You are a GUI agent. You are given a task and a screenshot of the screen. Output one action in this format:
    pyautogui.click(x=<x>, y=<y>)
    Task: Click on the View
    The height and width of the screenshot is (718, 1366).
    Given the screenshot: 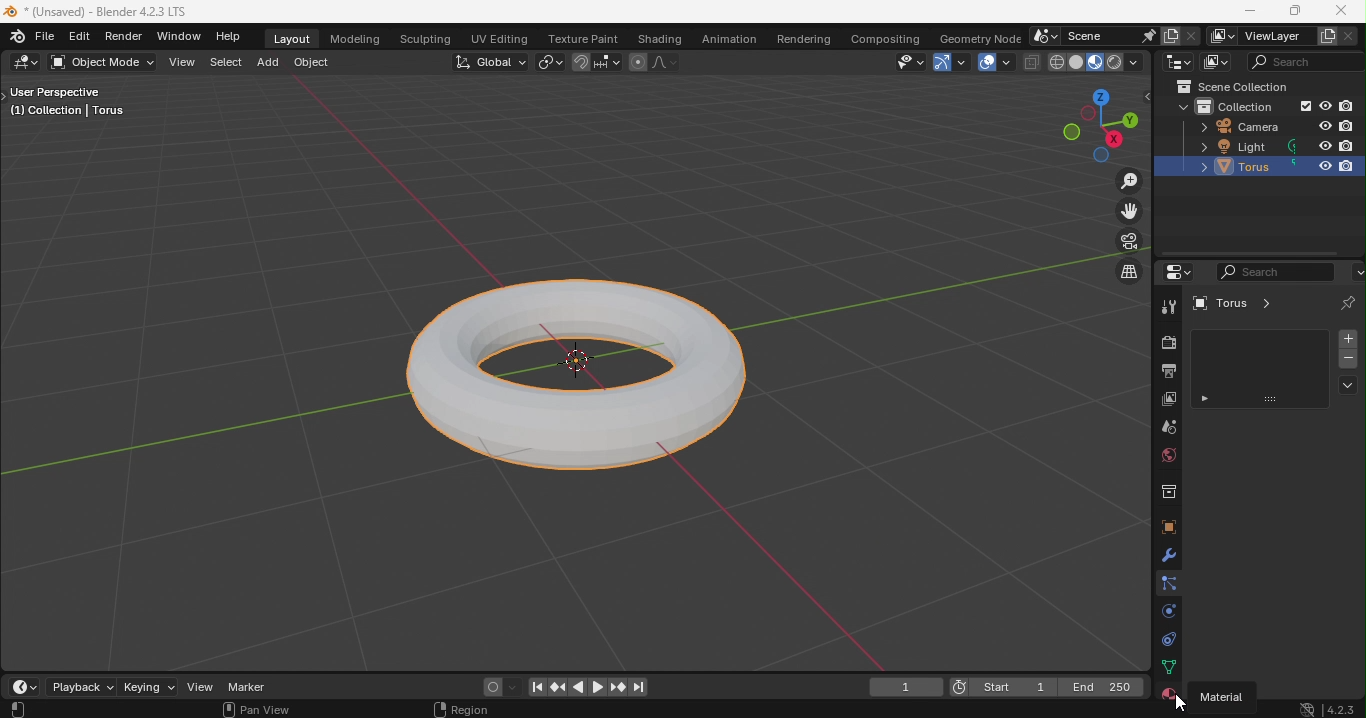 What is the action you would take?
    pyautogui.click(x=182, y=62)
    